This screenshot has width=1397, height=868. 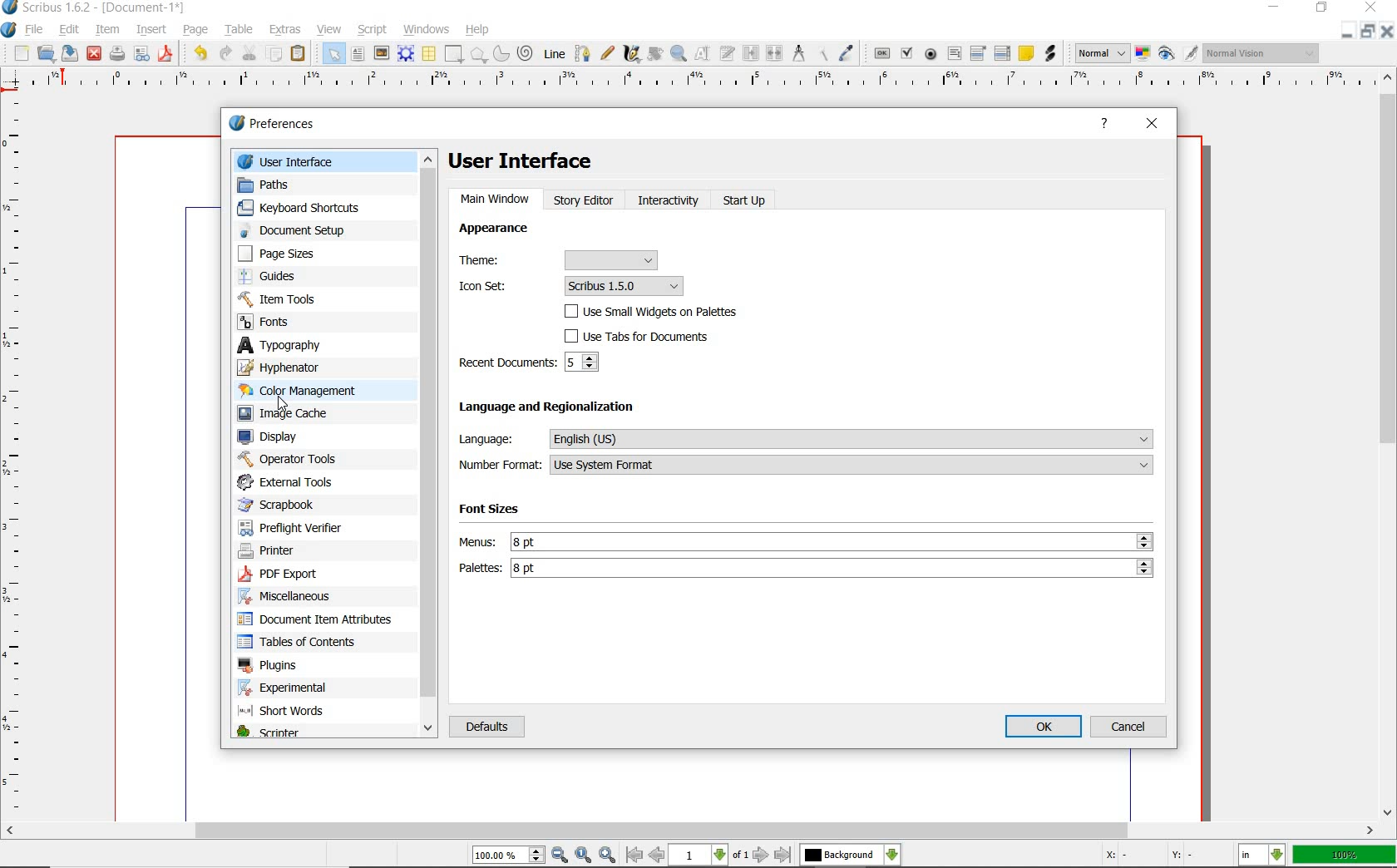 I want to click on save, so click(x=168, y=52).